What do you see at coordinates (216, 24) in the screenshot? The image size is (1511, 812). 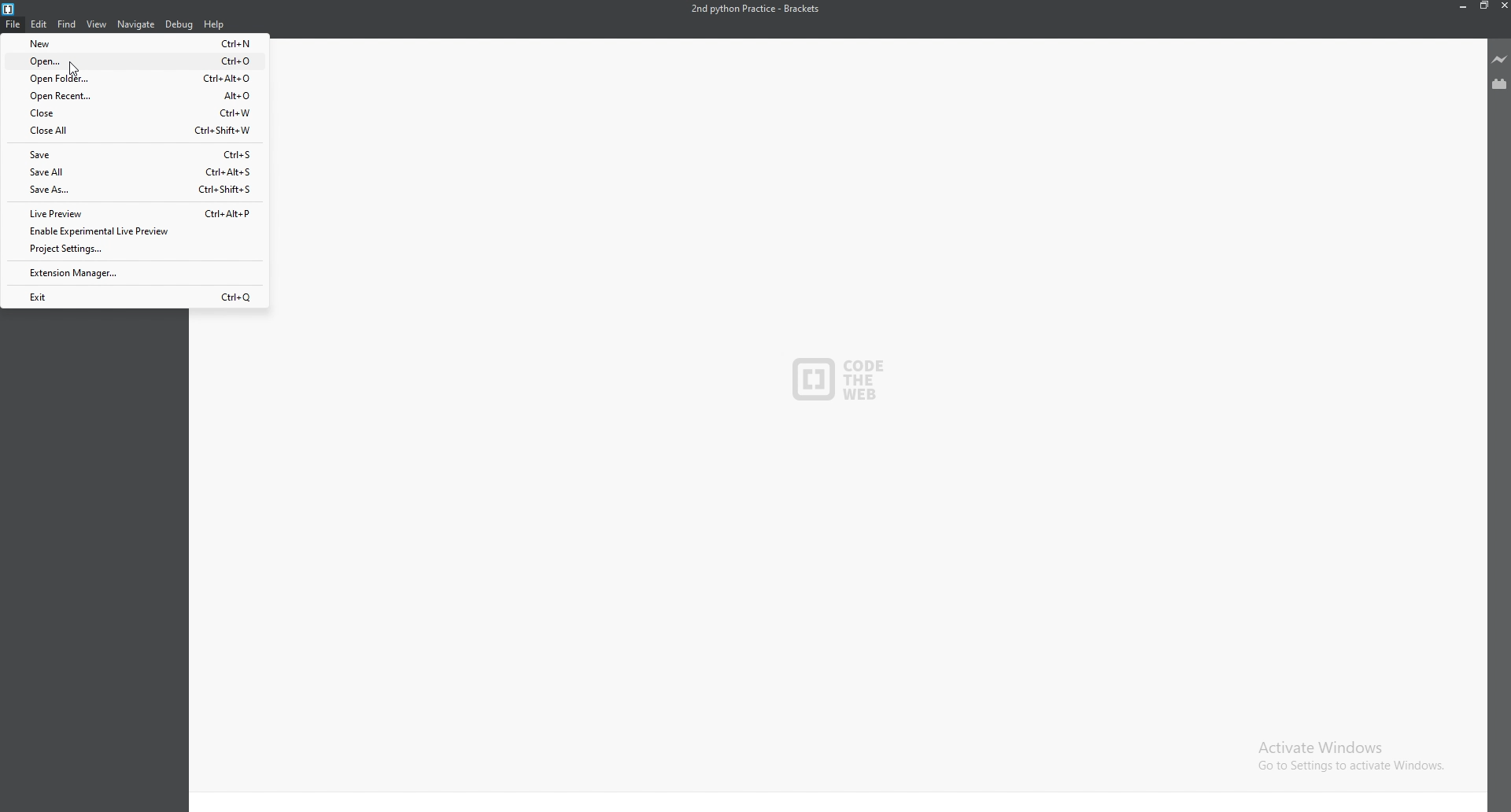 I see `help` at bounding box center [216, 24].